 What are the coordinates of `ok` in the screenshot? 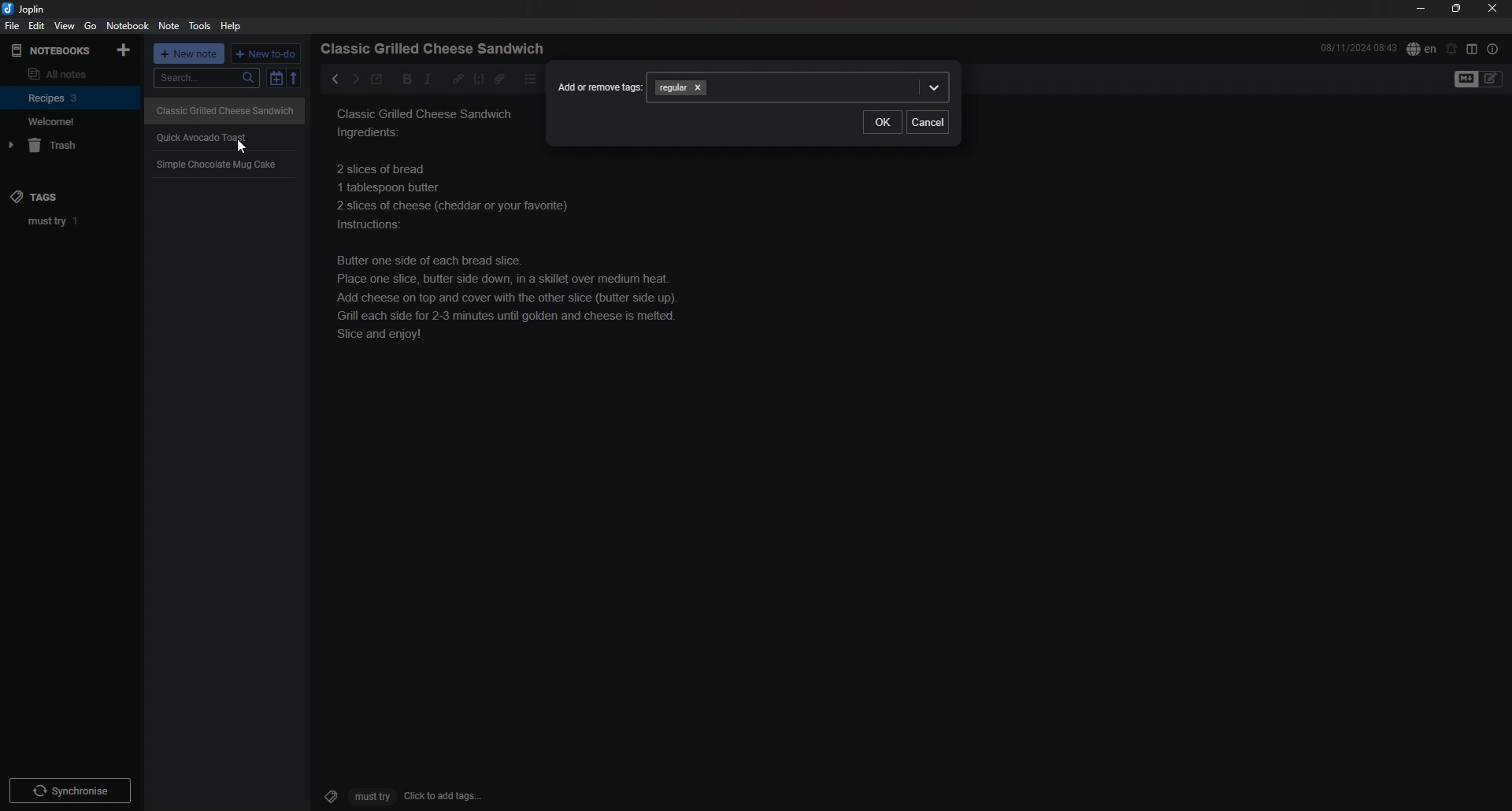 It's located at (882, 122).